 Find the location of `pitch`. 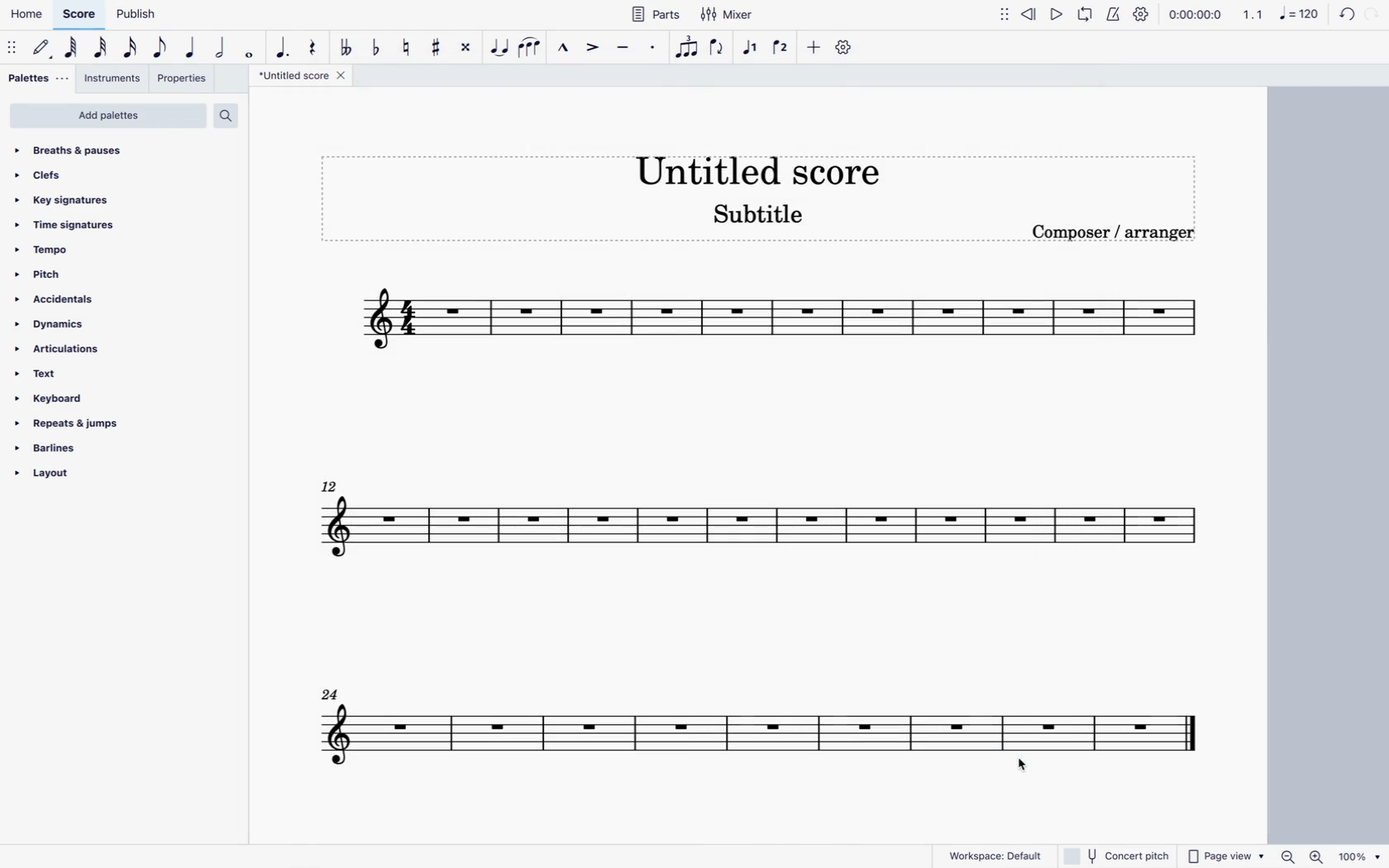

pitch is located at coordinates (45, 274).